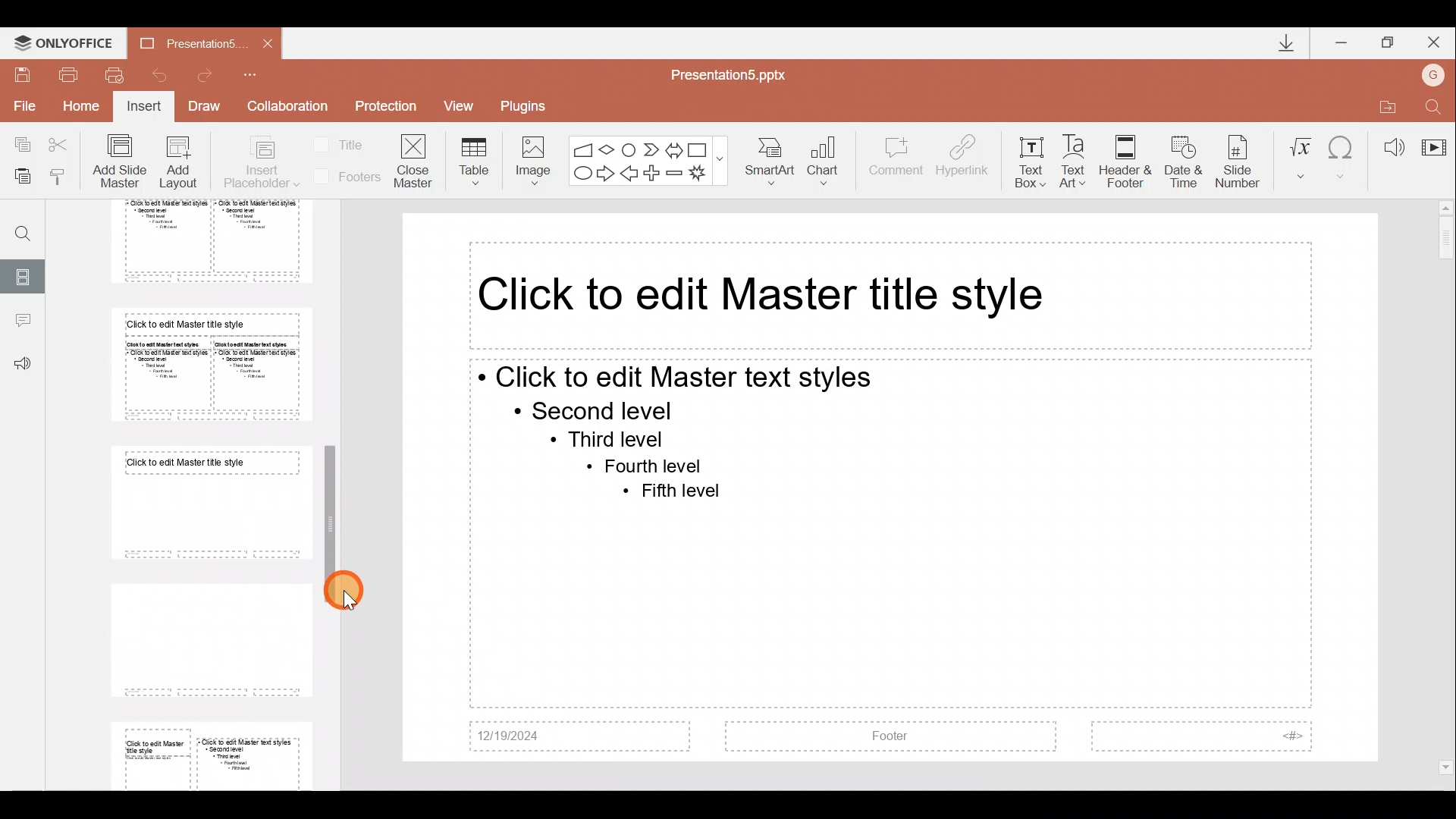  Describe the element at coordinates (629, 146) in the screenshot. I see `Flowchart-connector` at that location.